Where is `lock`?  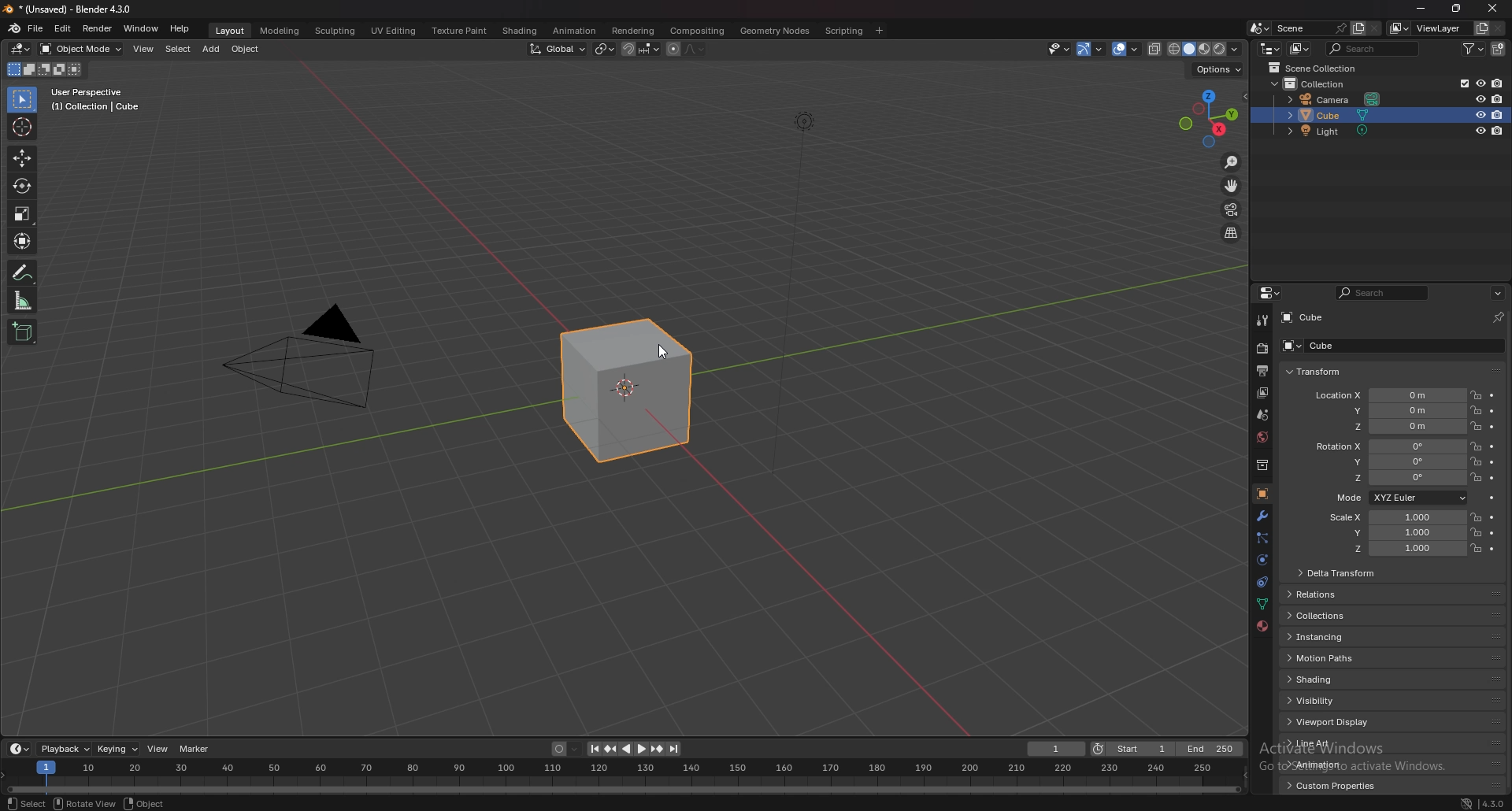
lock is located at coordinates (1475, 426).